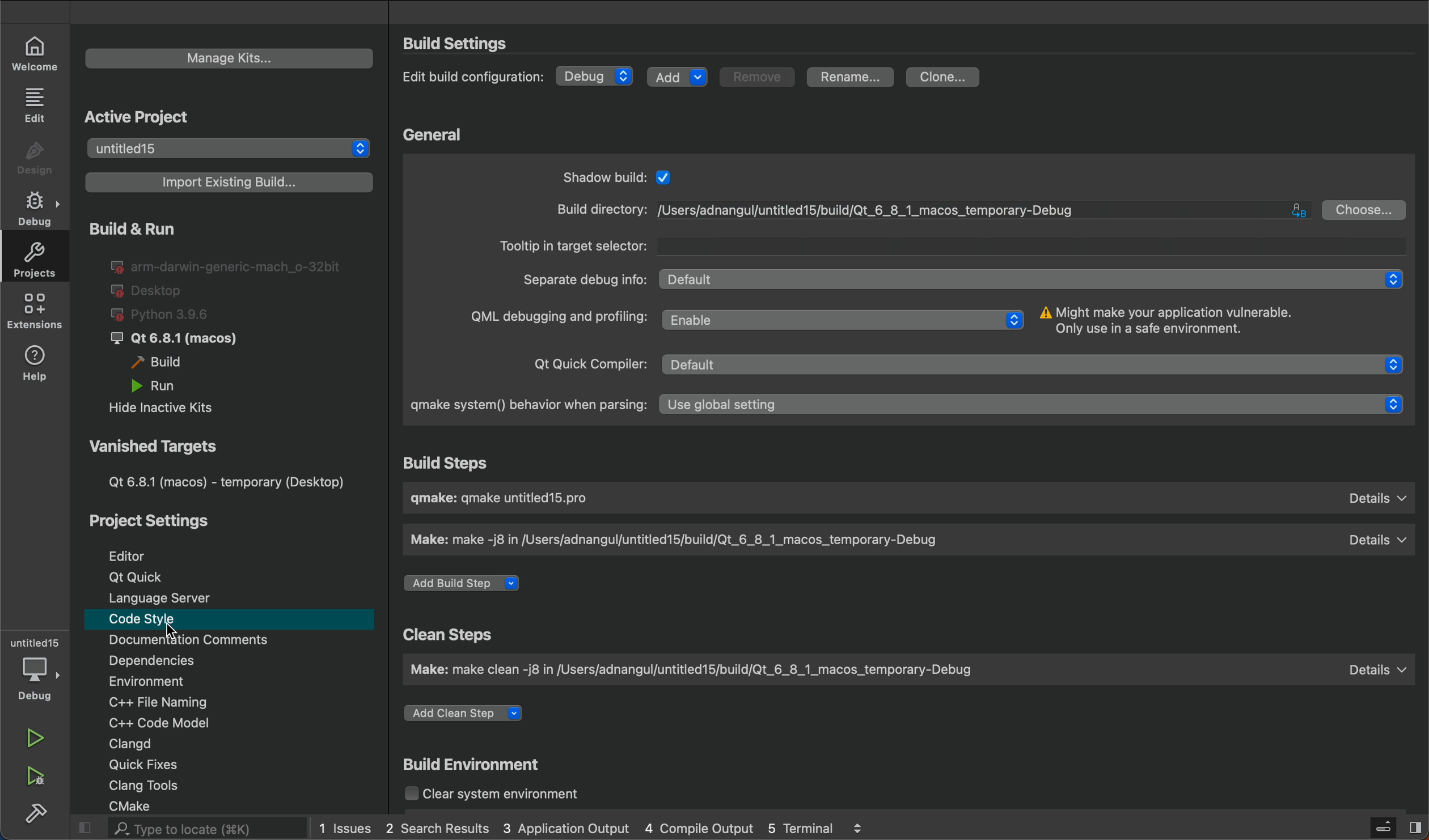  I want to click on cmake, so click(146, 805).